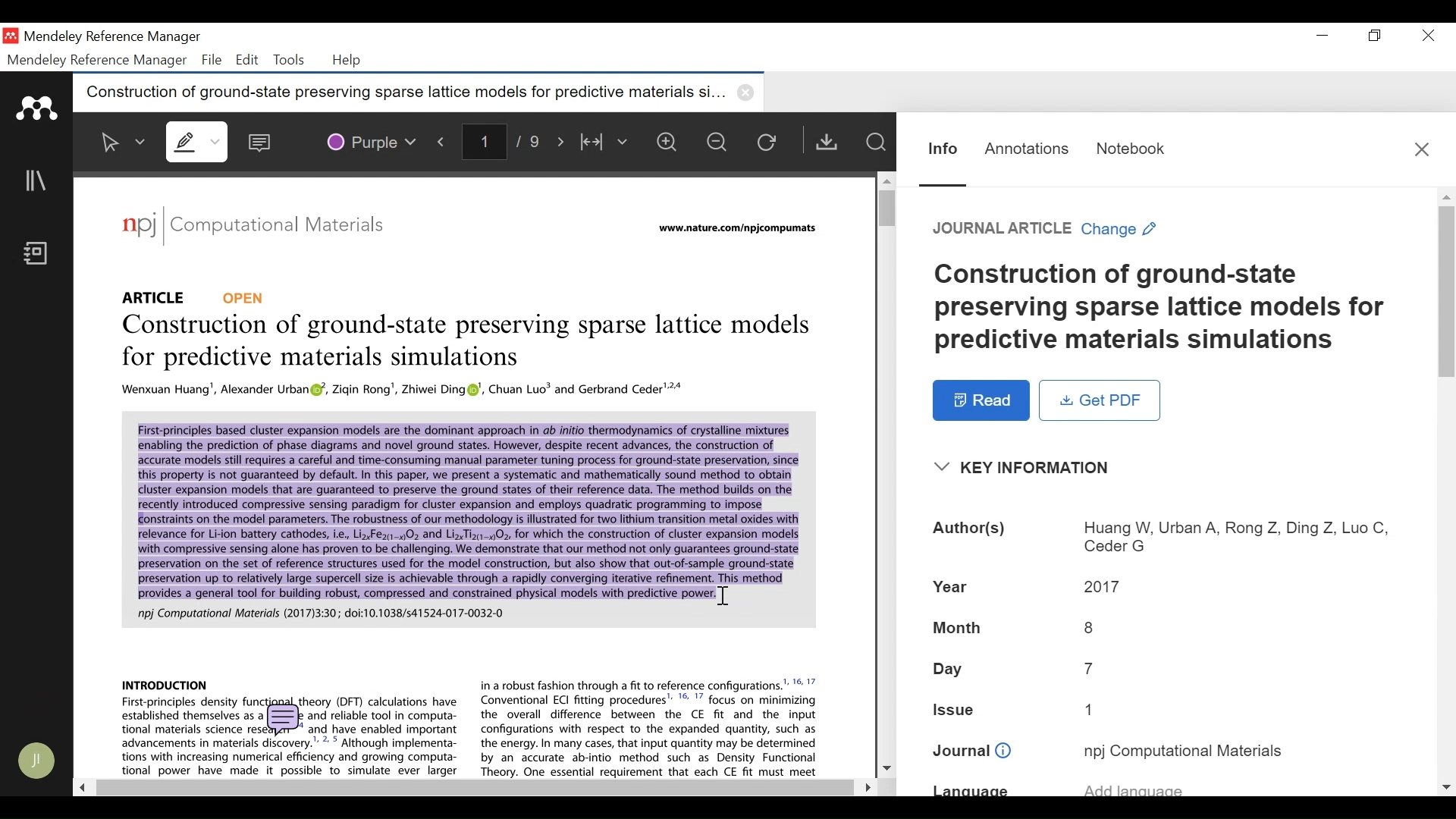  I want to click on Color, so click(370, 140).